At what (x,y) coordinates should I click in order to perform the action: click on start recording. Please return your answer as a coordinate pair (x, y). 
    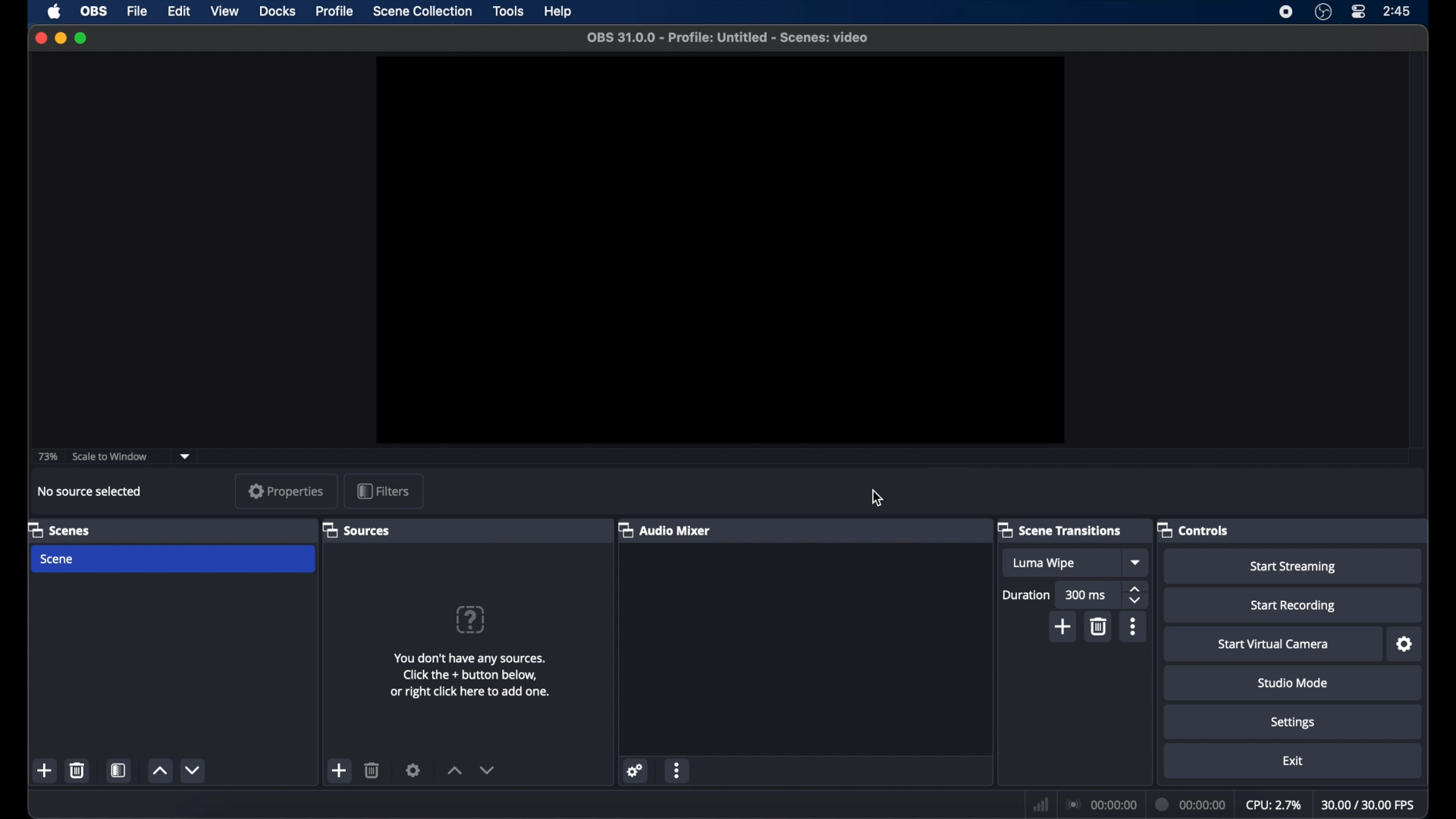
    Looking at the image, I should click on (1295, 605).